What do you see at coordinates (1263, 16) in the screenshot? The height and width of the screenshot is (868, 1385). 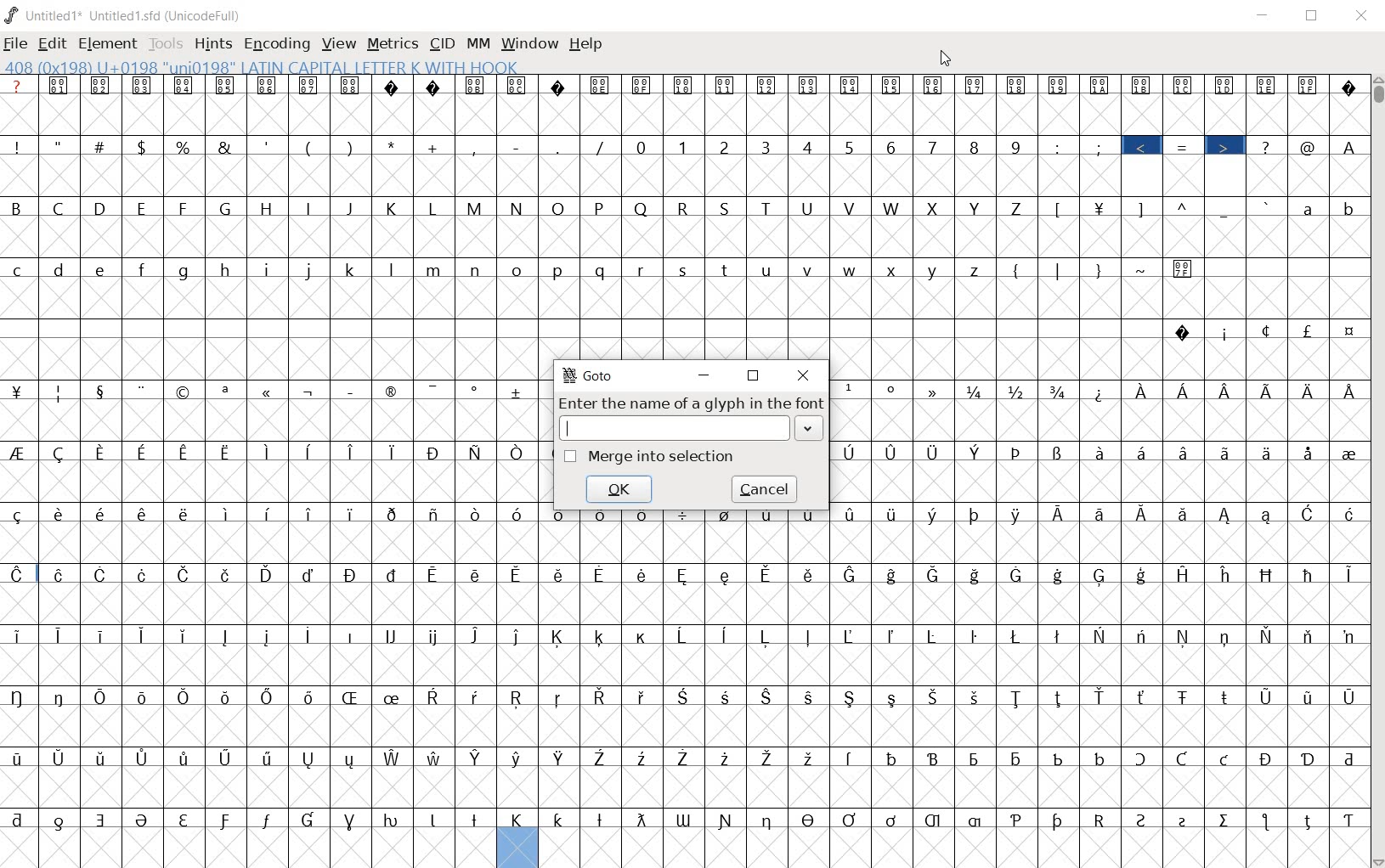 I see `minimize` at bounding box center [1263, 16].